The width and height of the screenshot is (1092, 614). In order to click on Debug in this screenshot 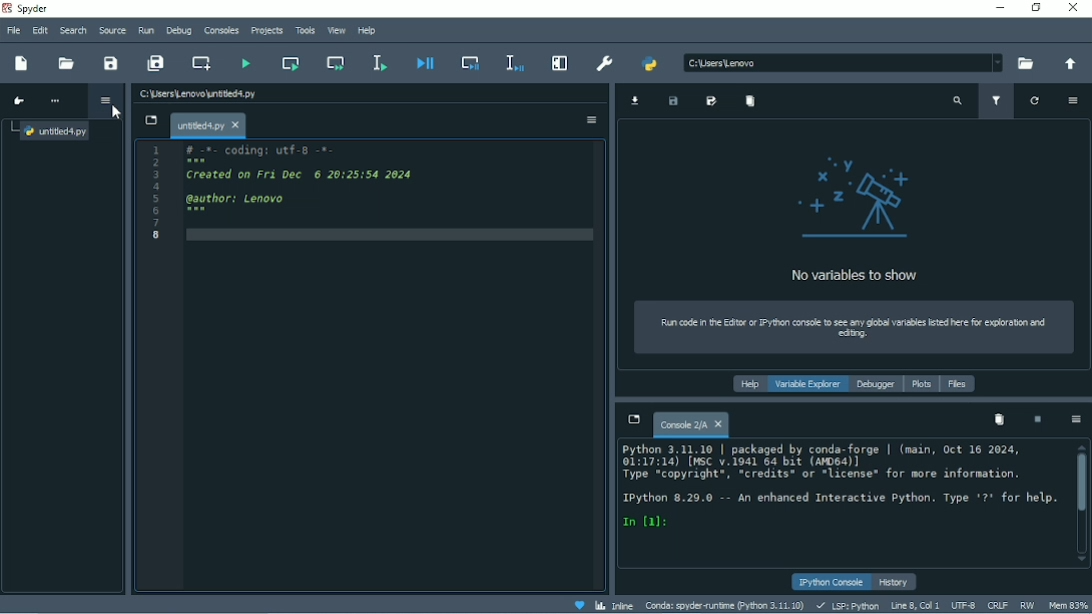, I will do `click(179, 32)`.